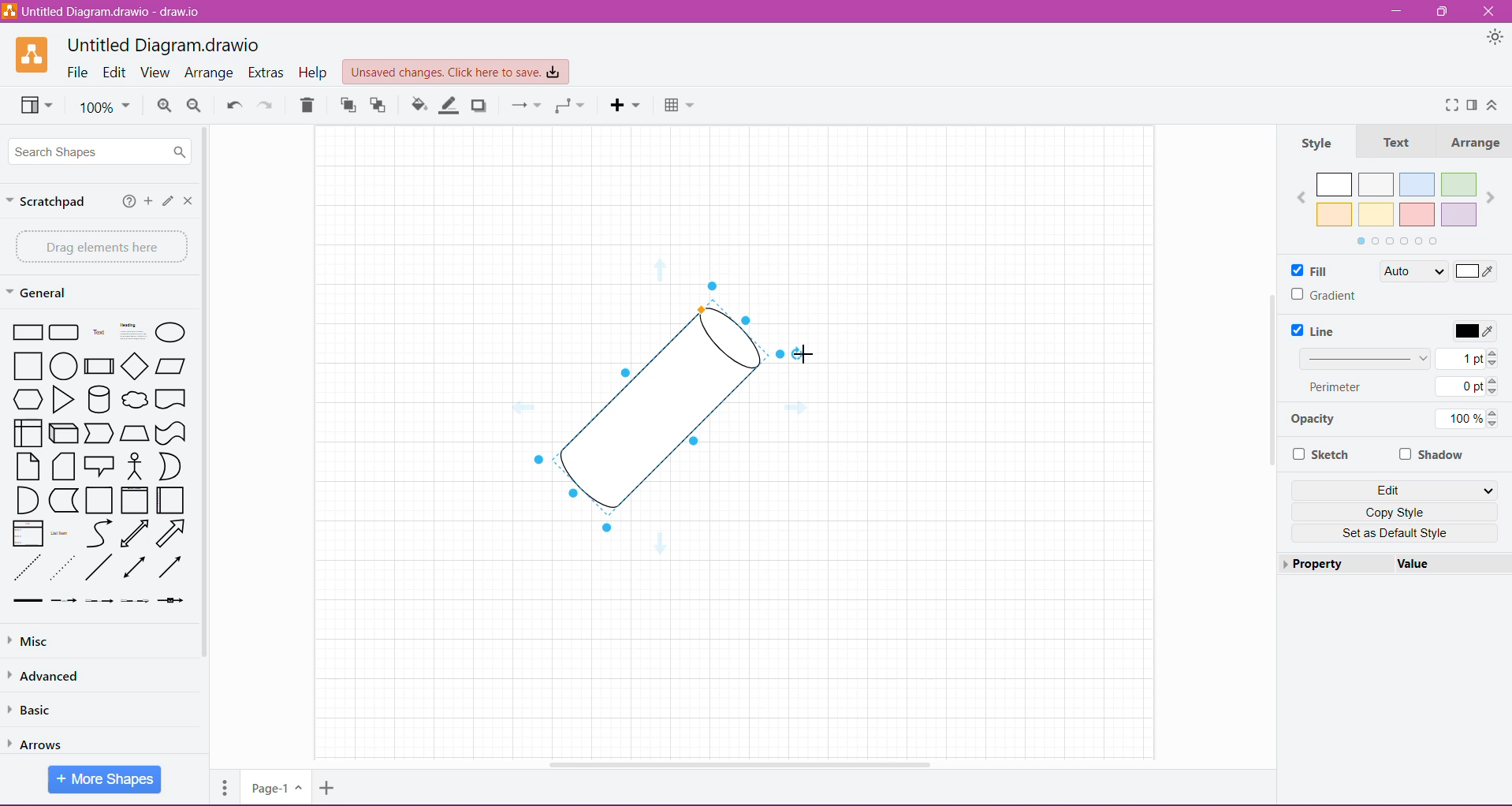 Image resolution: width=1512 pixels, height=806 pixels. What do you see at coordinates (1395, 534) in the screenshot?
I see `Set as Default Style` at bounding box center [1395, 534].